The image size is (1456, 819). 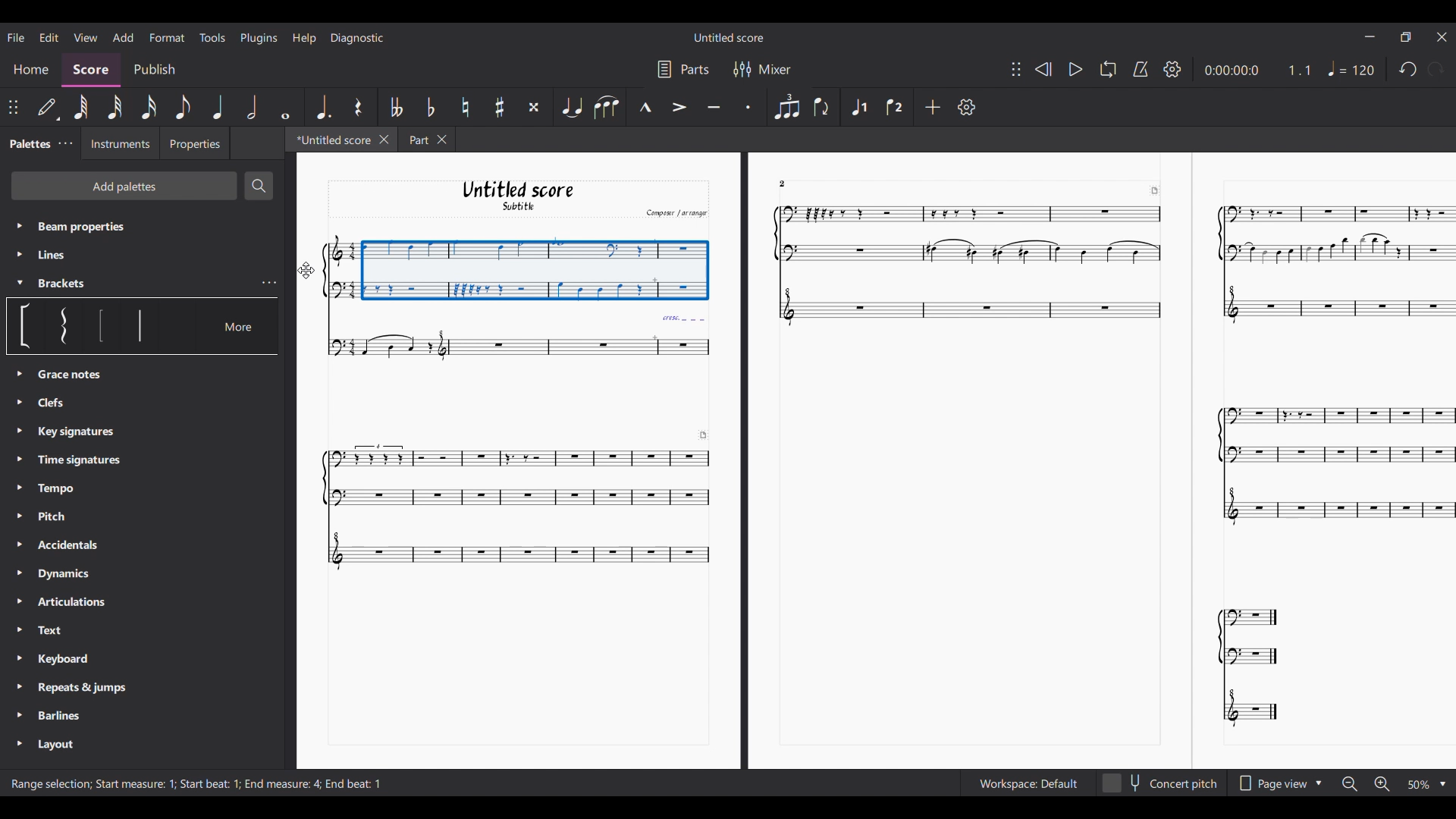 I want to click on , so click(x=1338, y=307).